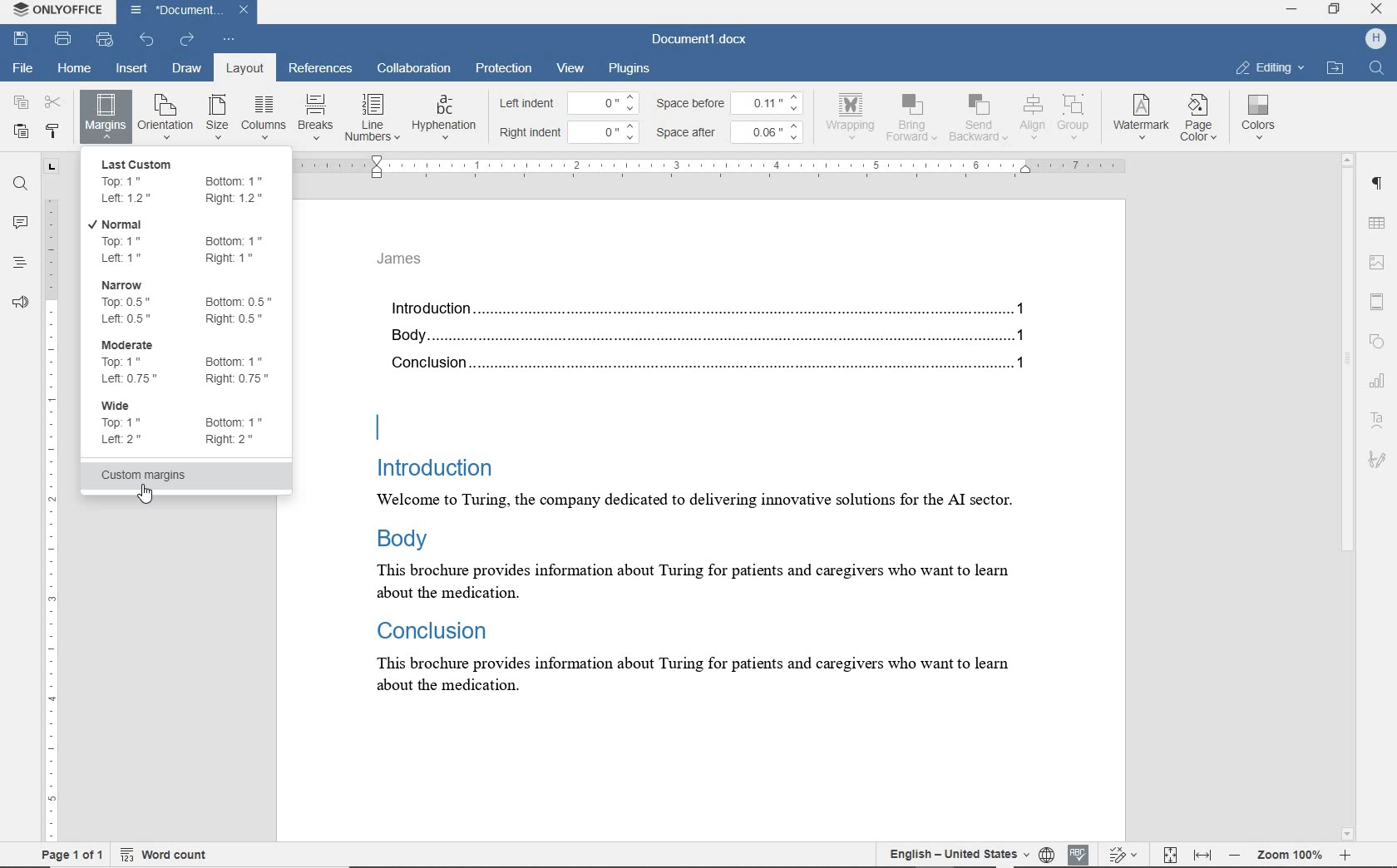  I want to click on signature, so click(1376, 458).